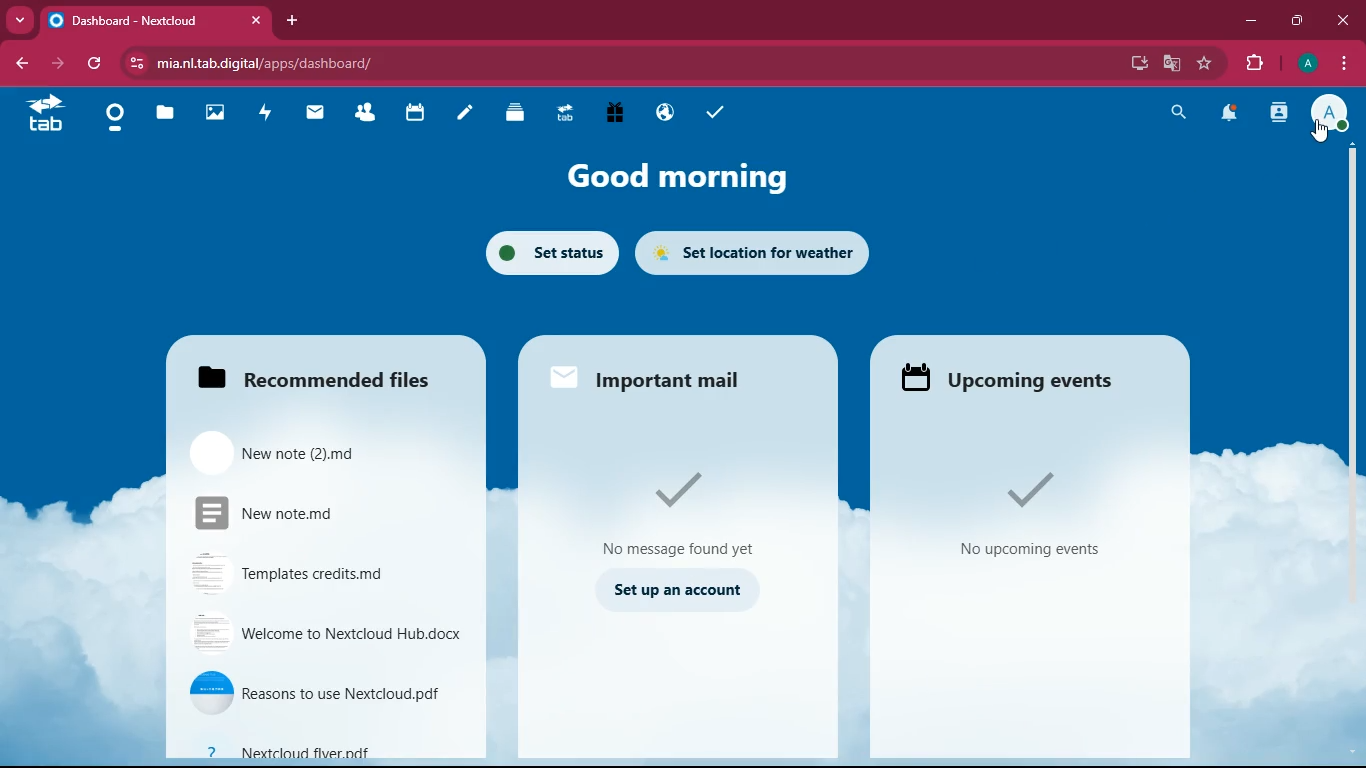  What do you see at coordinates (326, 629) in the screenshot?
I see `welcome to nextcloud hub.docx` at bounding box center [326, 629].